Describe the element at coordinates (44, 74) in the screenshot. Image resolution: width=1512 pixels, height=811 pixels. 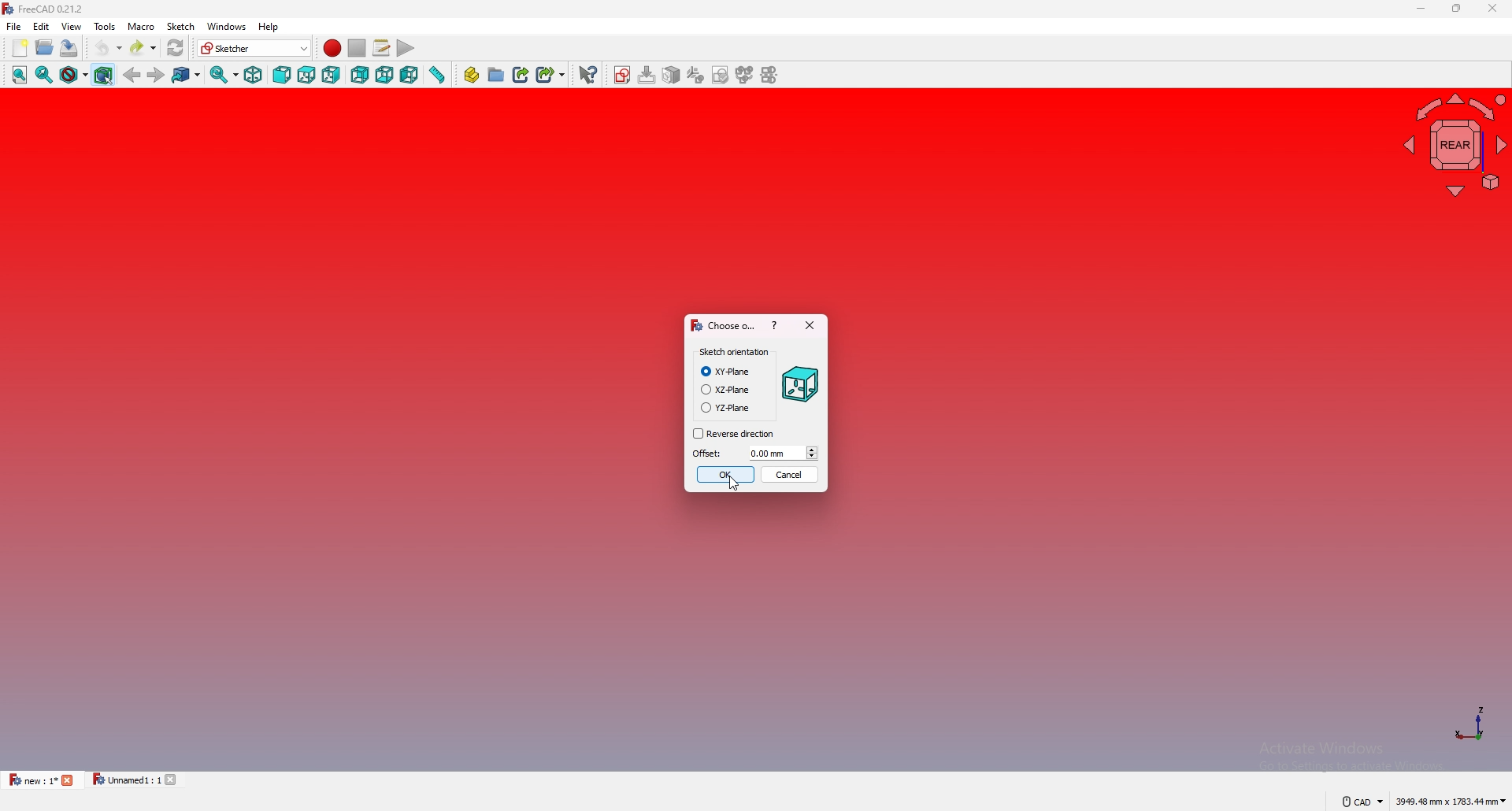
I see `fit selection` at that location.